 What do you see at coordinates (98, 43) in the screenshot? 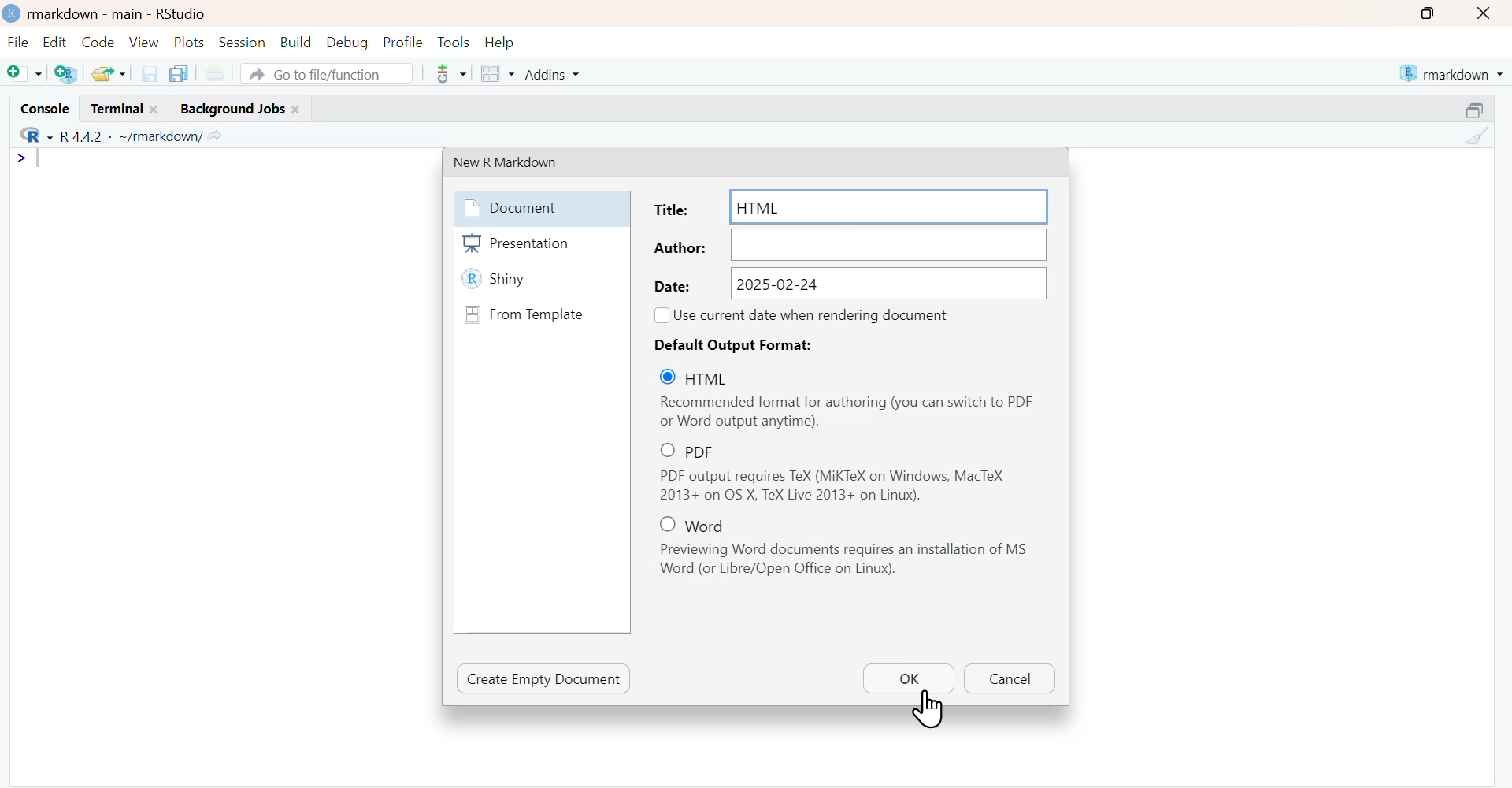
I see `Code` at bounding box center [98, 43].